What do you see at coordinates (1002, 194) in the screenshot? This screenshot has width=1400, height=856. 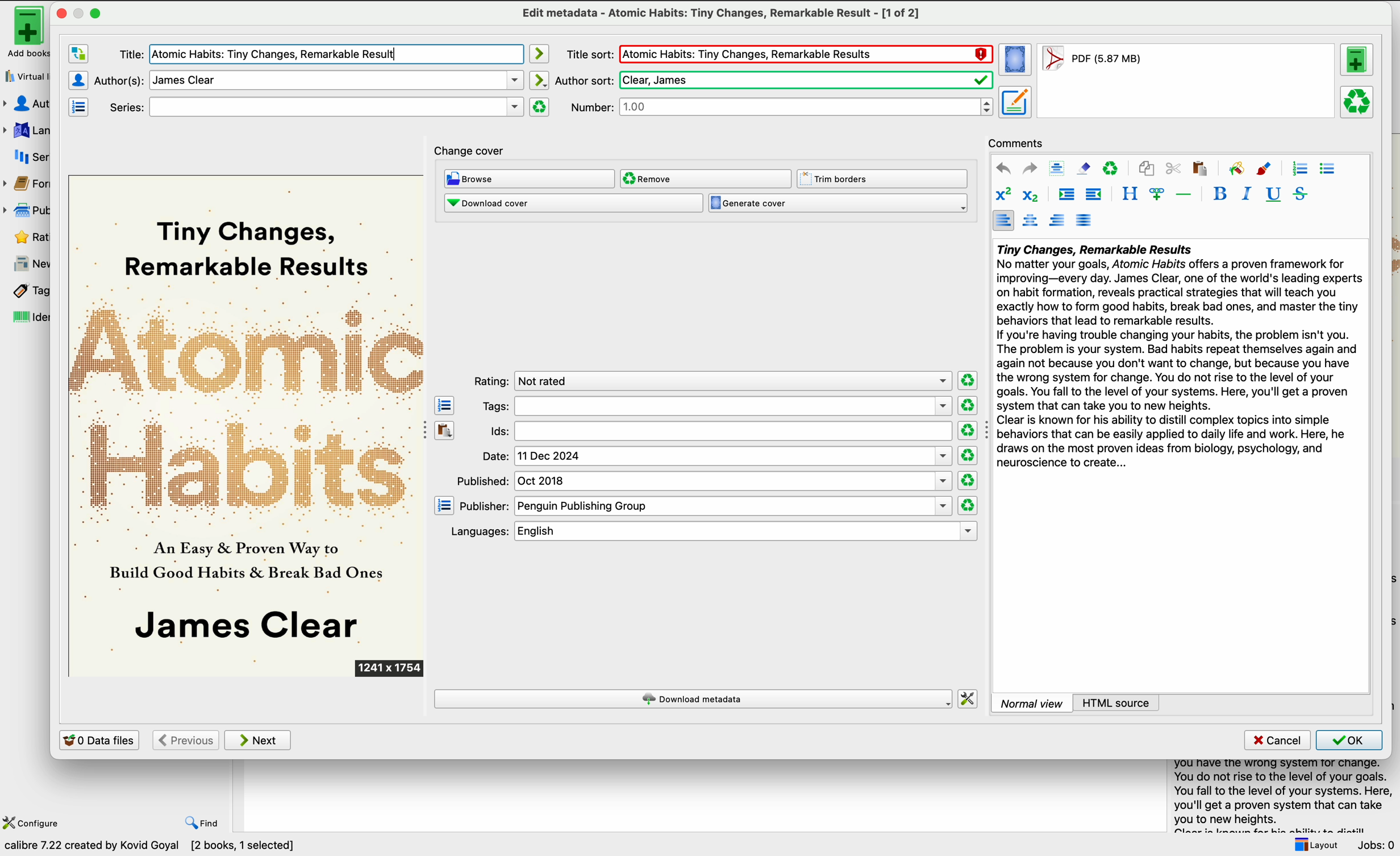 I see `superscript` at bounding box center [1002, 194].